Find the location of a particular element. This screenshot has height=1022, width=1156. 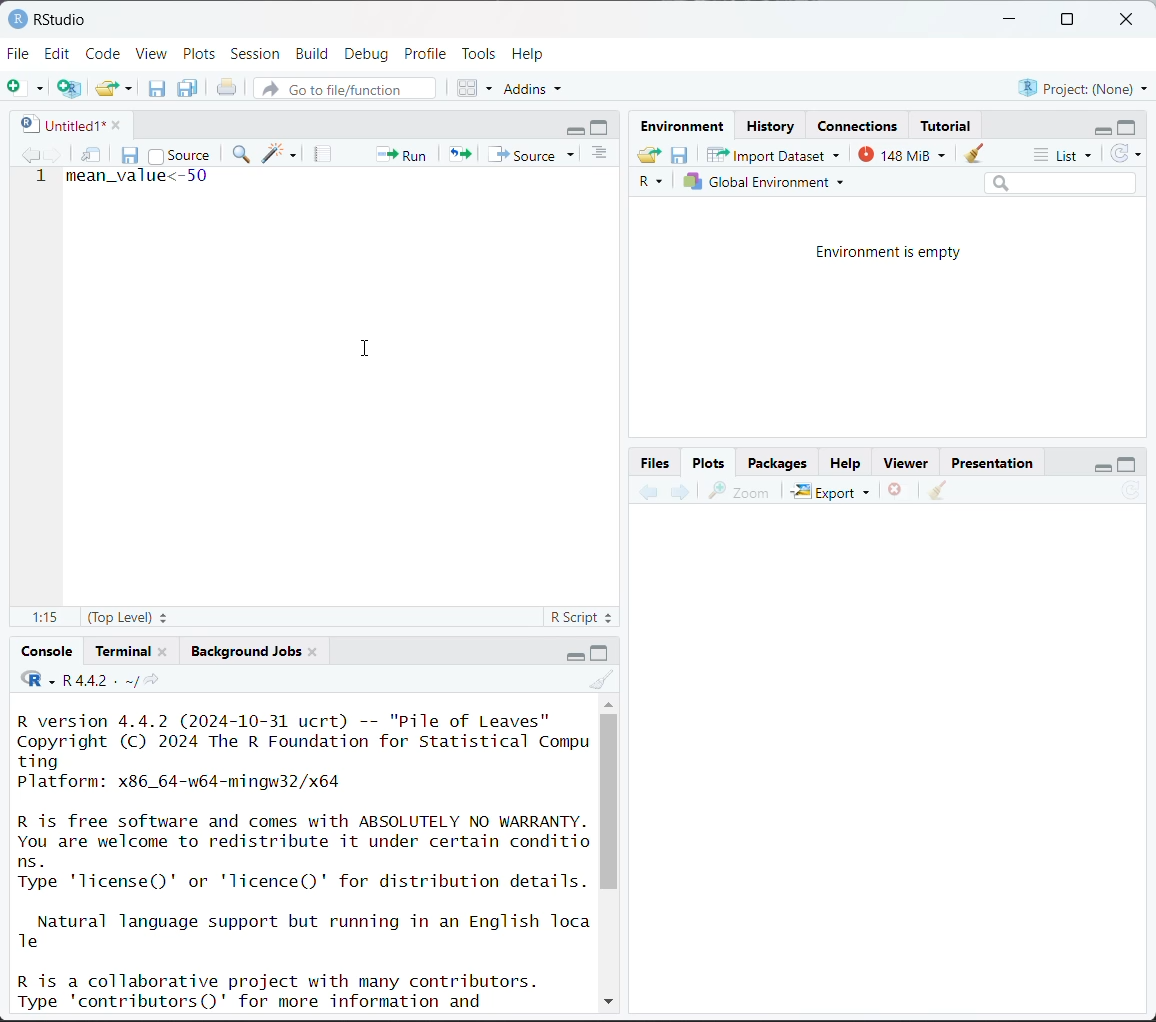

R script is located at coordinates (582, 620).